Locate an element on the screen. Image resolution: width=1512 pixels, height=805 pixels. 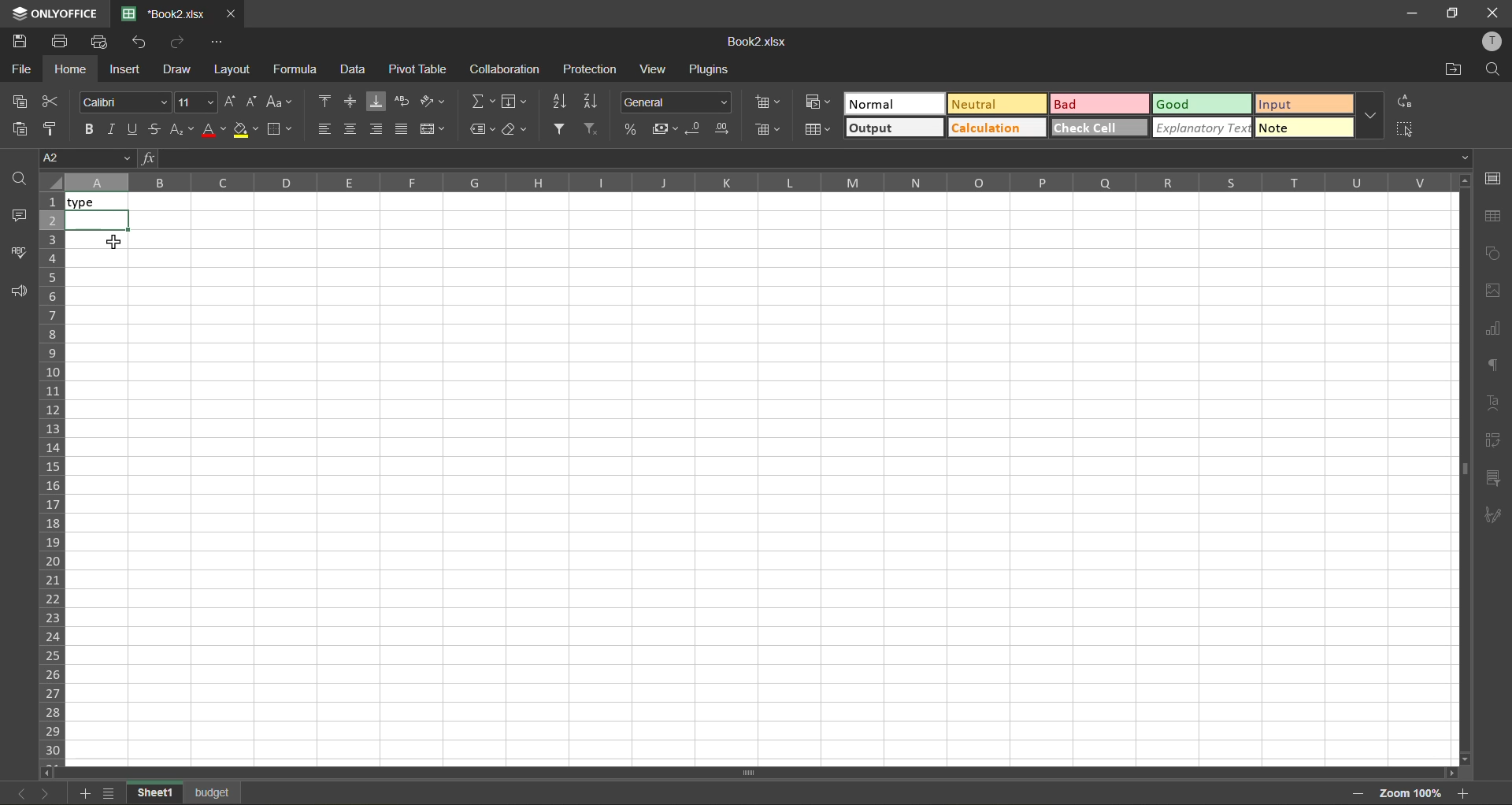
fill color is located at coordinates (246, 131).